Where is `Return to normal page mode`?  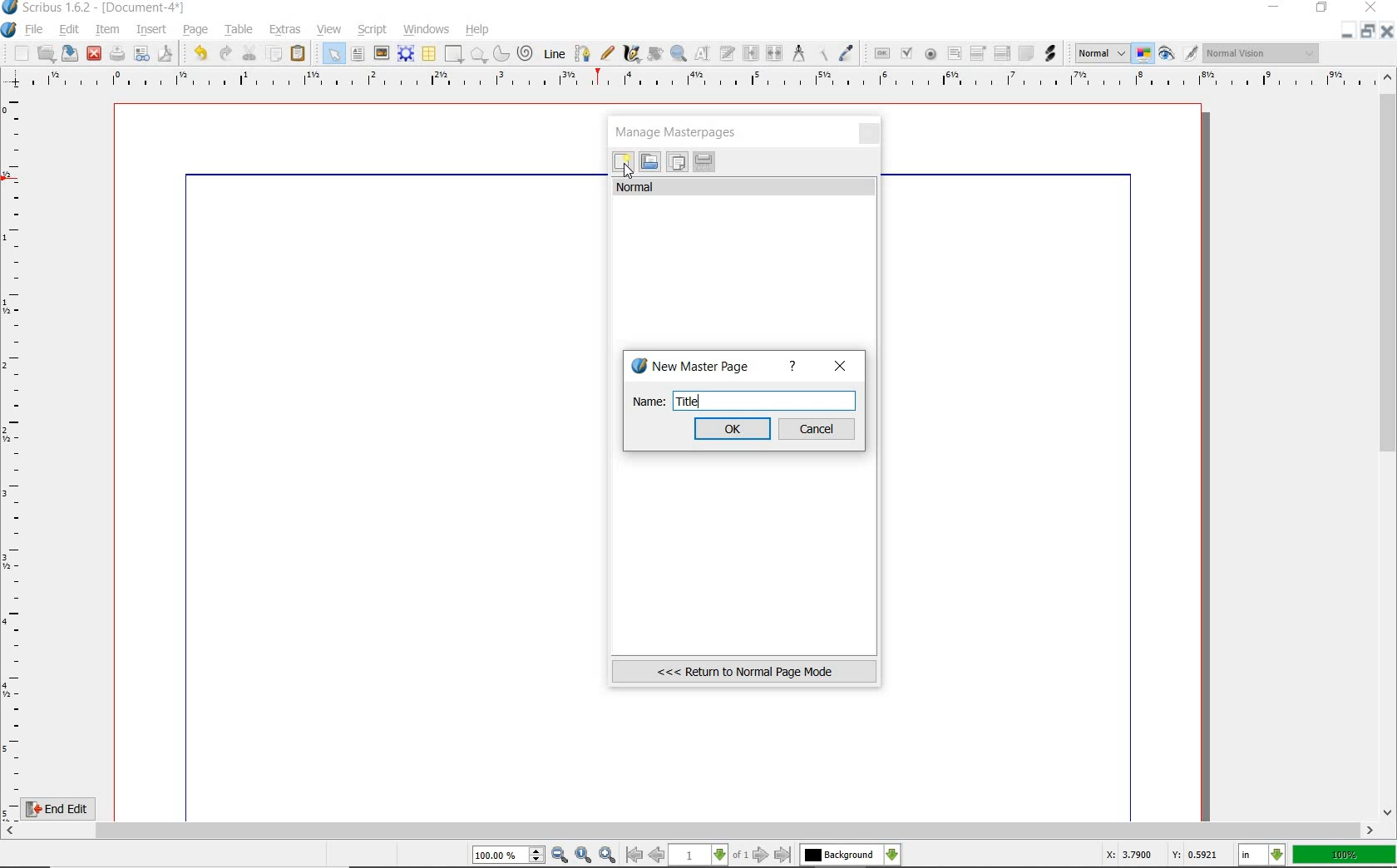
Return to normal page mode is located at coordinates (744, 671).